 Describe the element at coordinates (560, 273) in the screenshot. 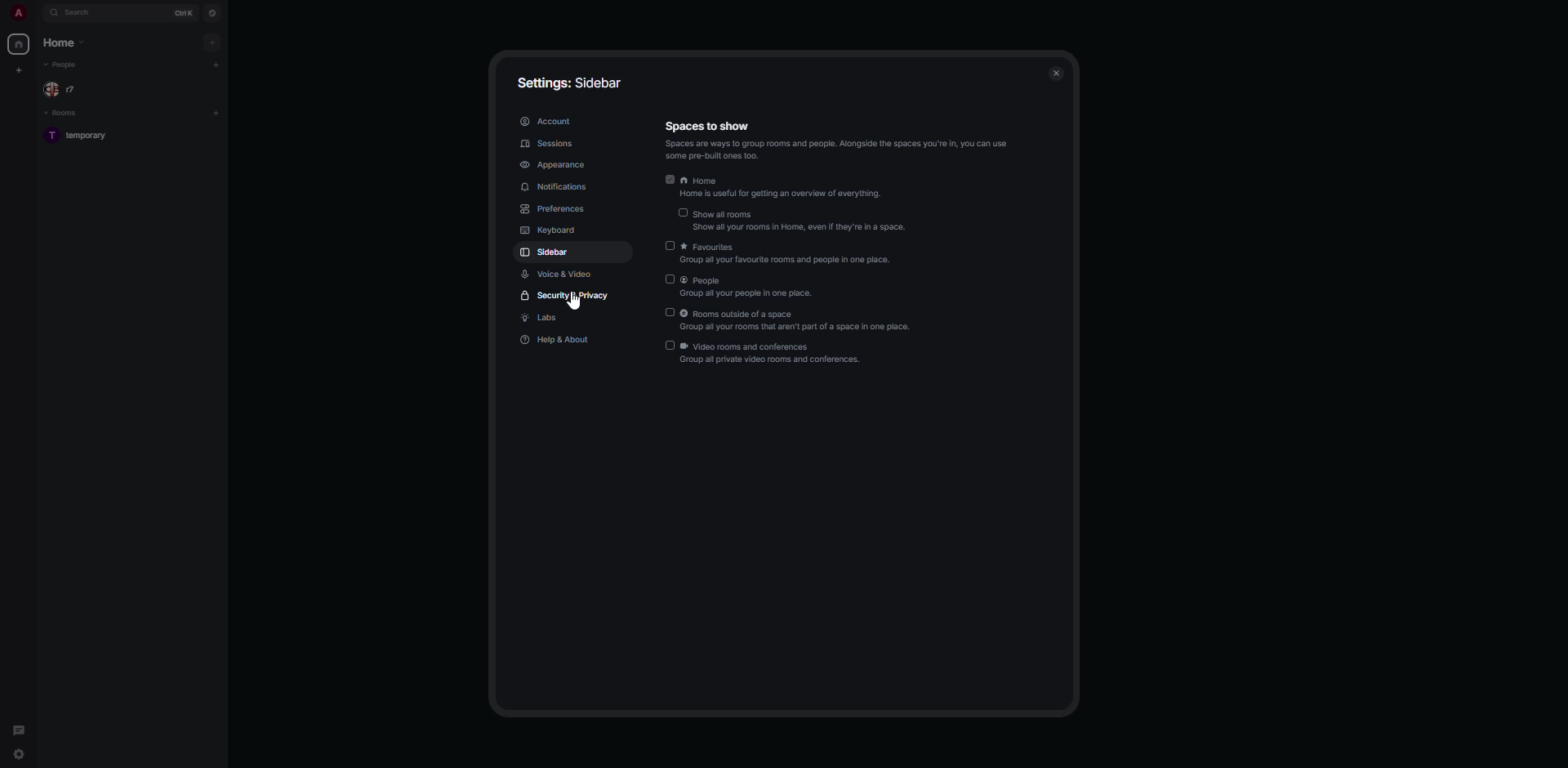

I see `voice & video` at that location.